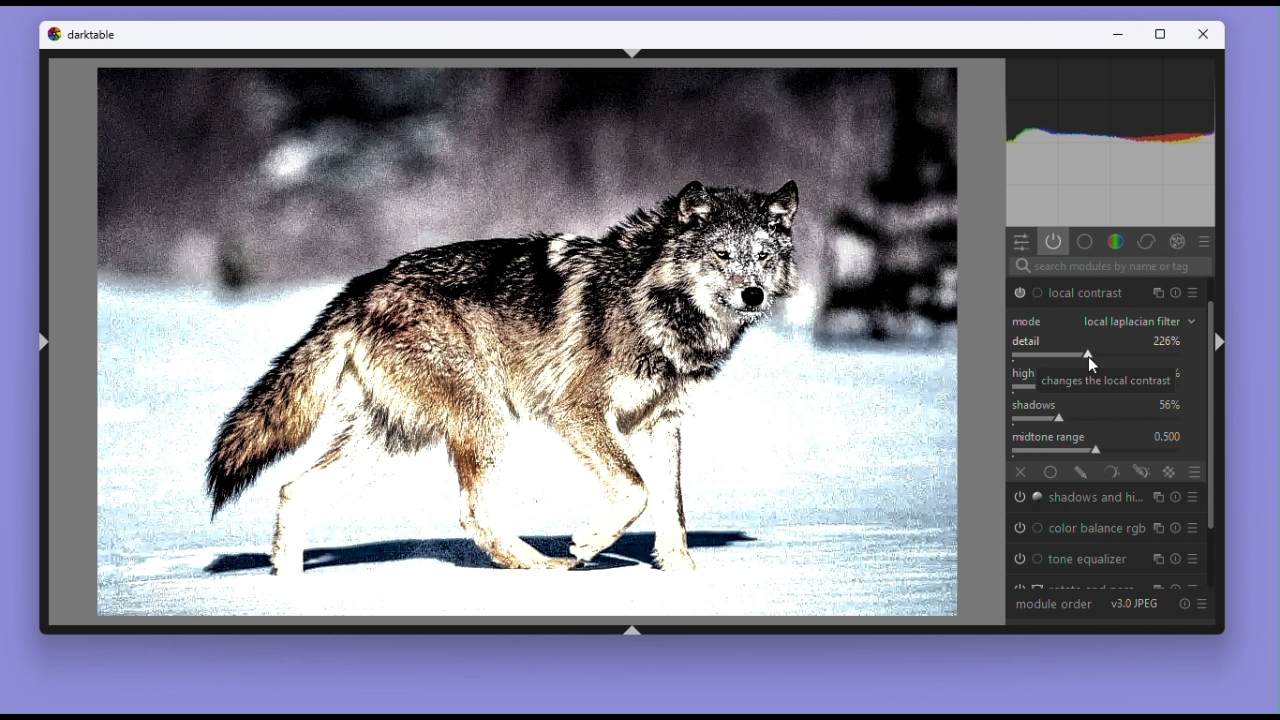 The width and height of the screenshot is (1280, 720). What do you see at coordinates (95, 37) in the screenshot?
I see `darktable` at bounding box center [95, 37].